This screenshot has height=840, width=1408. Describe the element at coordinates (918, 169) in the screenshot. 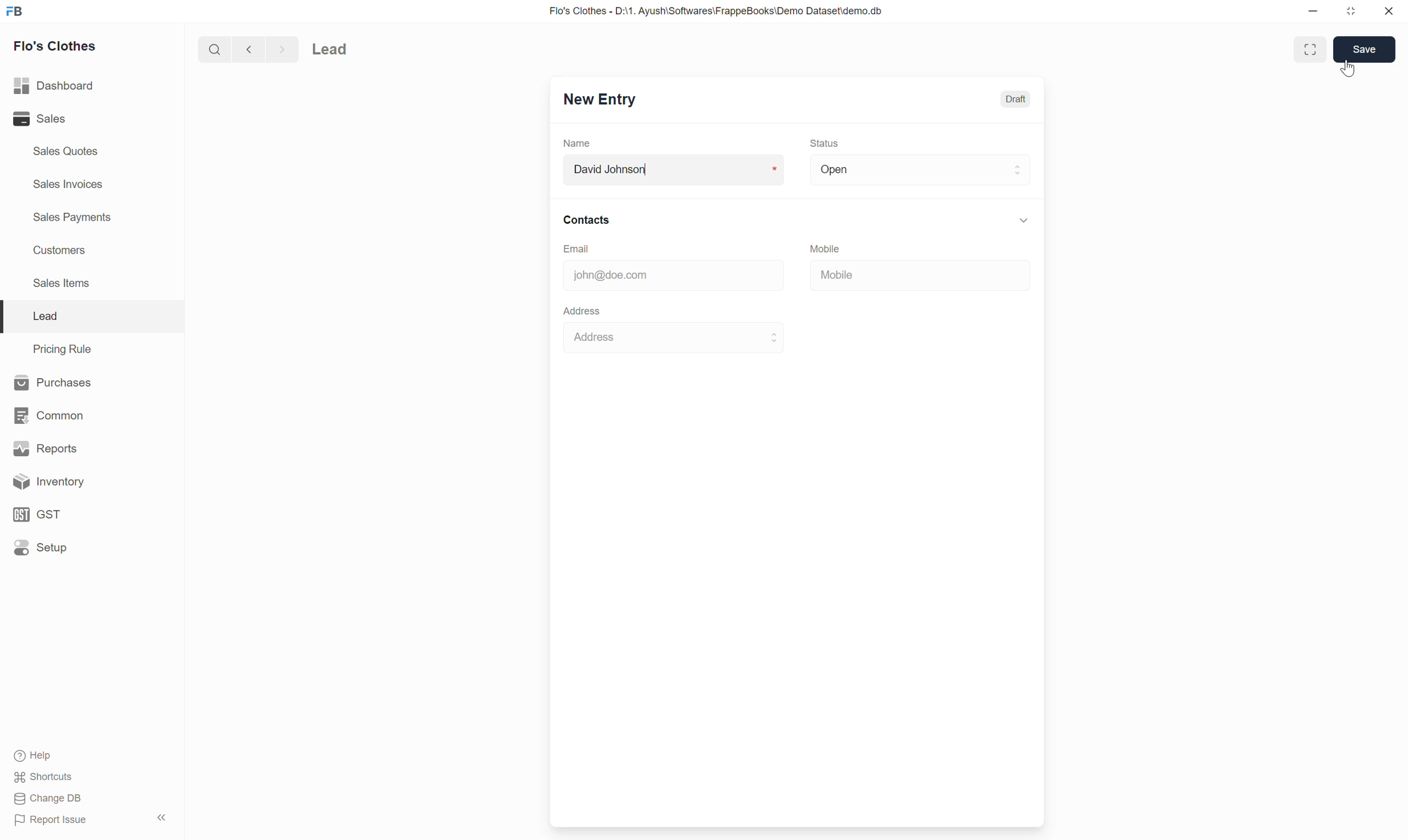

I see `Open` at that location.